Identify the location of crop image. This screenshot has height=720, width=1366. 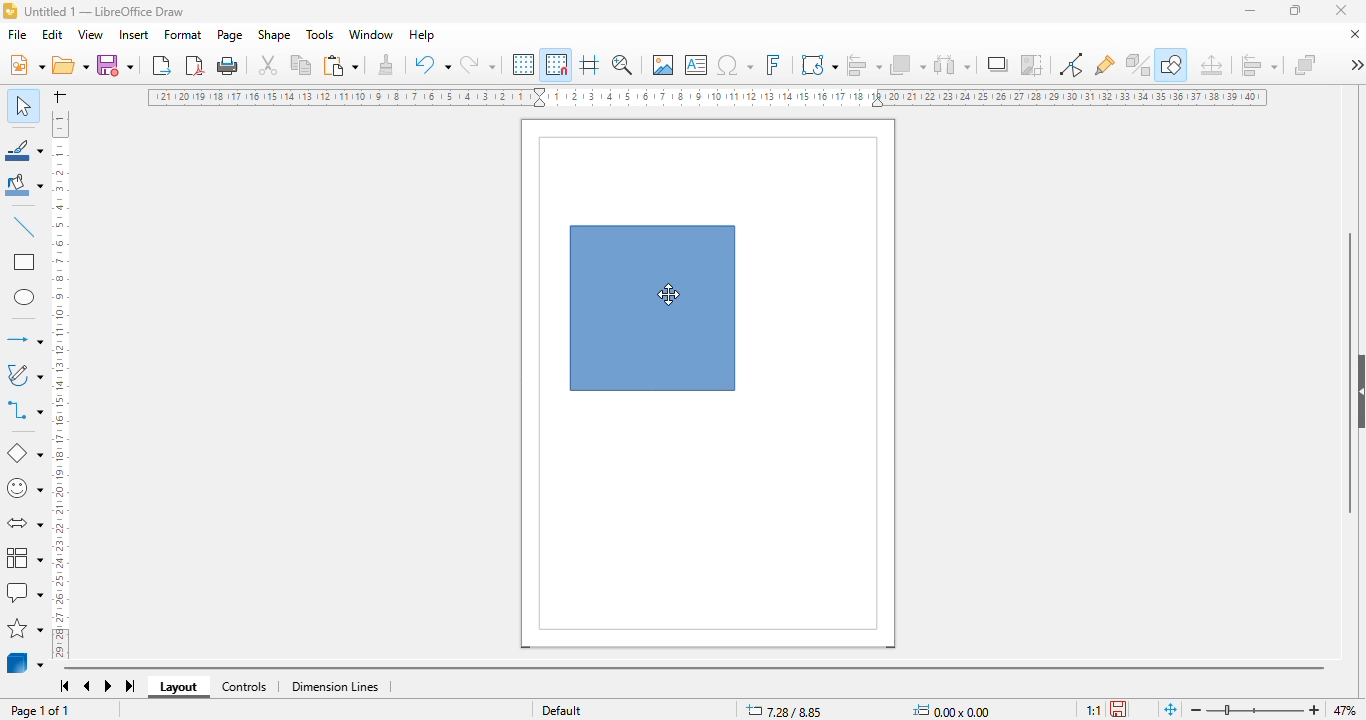
(1033, 65).